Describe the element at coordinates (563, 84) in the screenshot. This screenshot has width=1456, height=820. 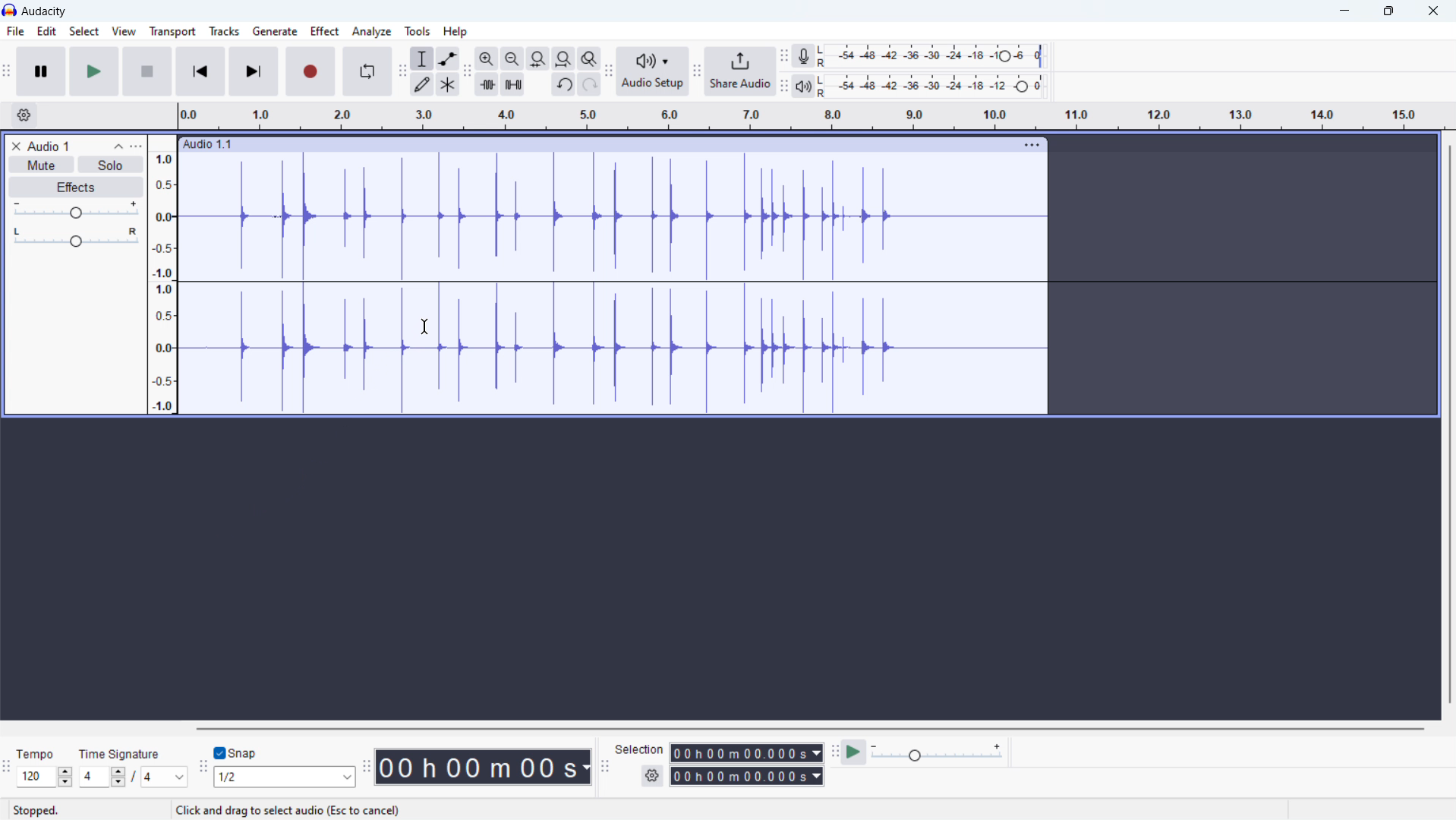
I see `undo` at that location.